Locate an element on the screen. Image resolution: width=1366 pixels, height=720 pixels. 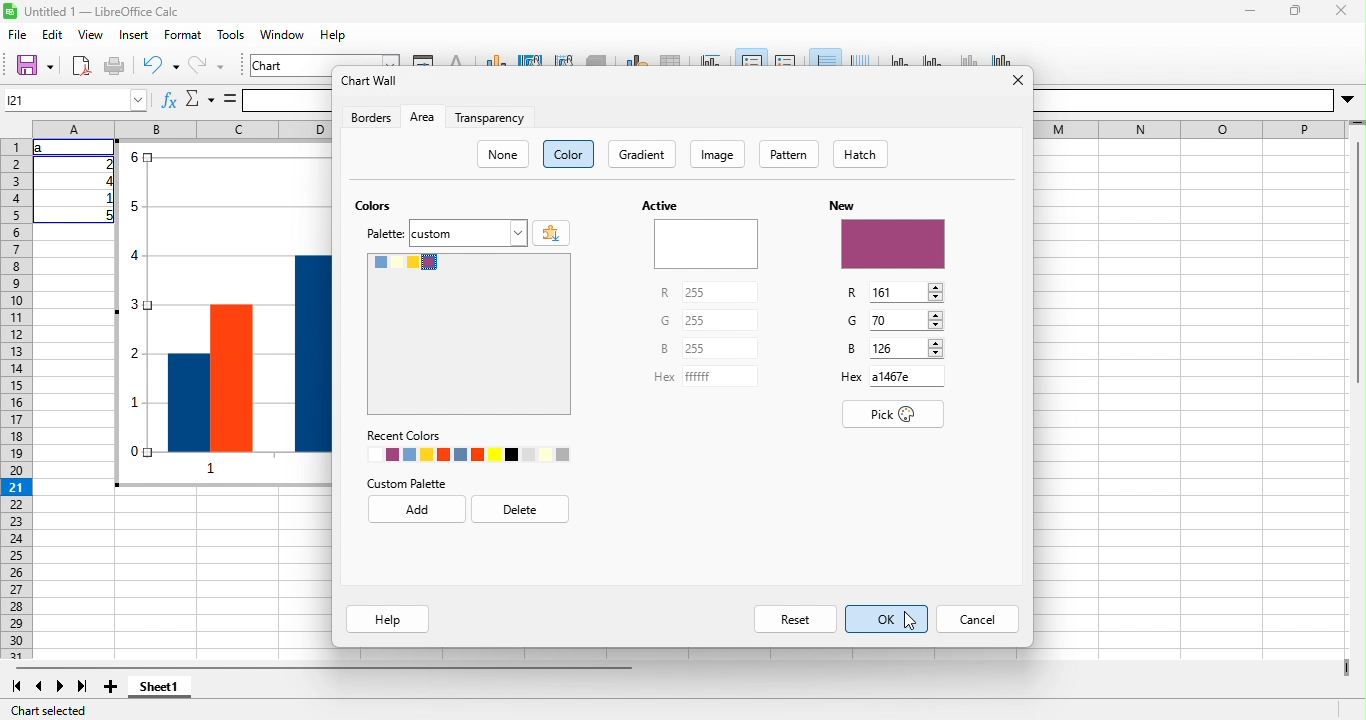
ok is located at coordinates (887, 619).